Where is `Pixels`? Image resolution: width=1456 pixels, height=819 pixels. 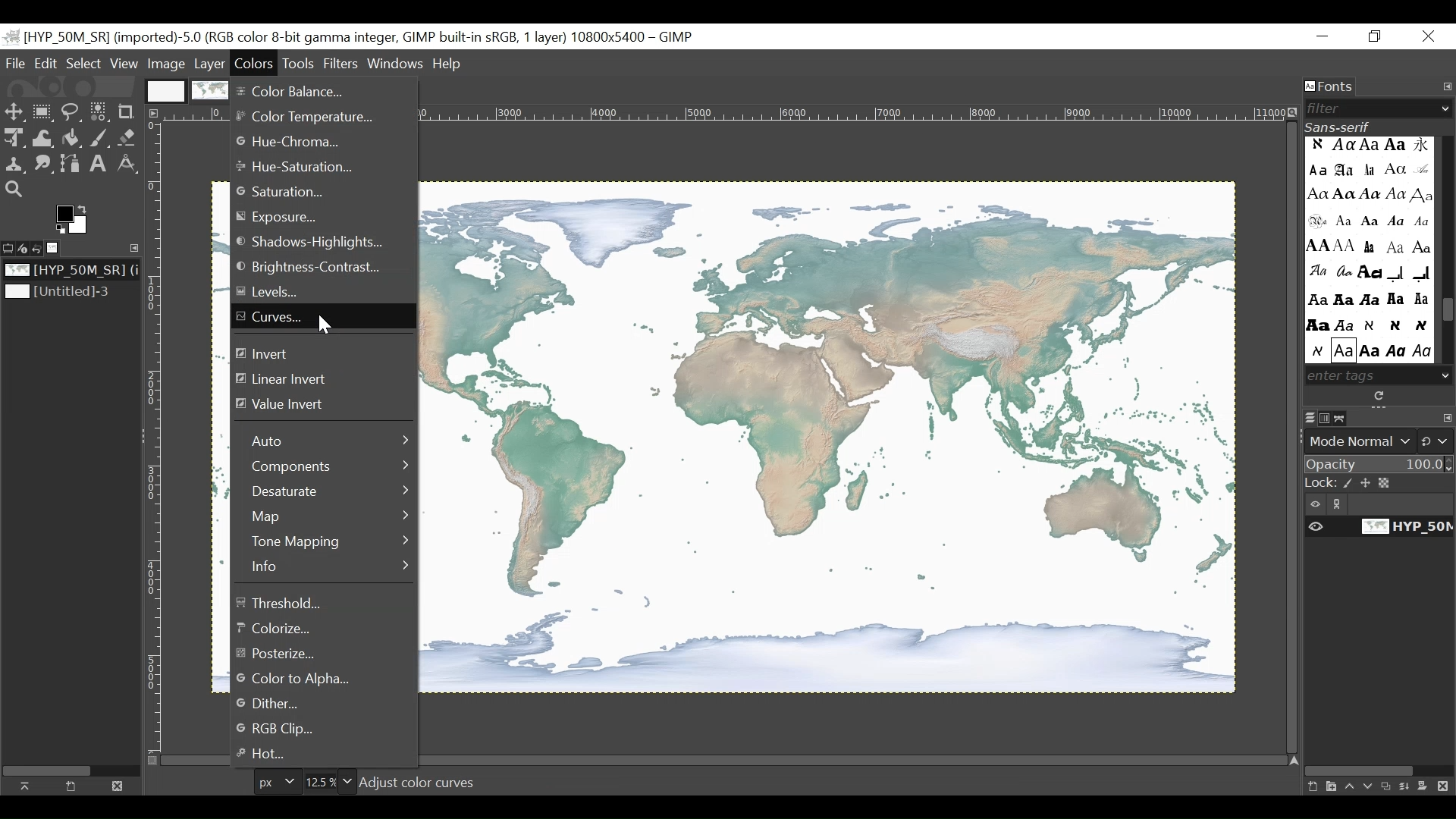
Pixels is located at coordinates (275, 783).